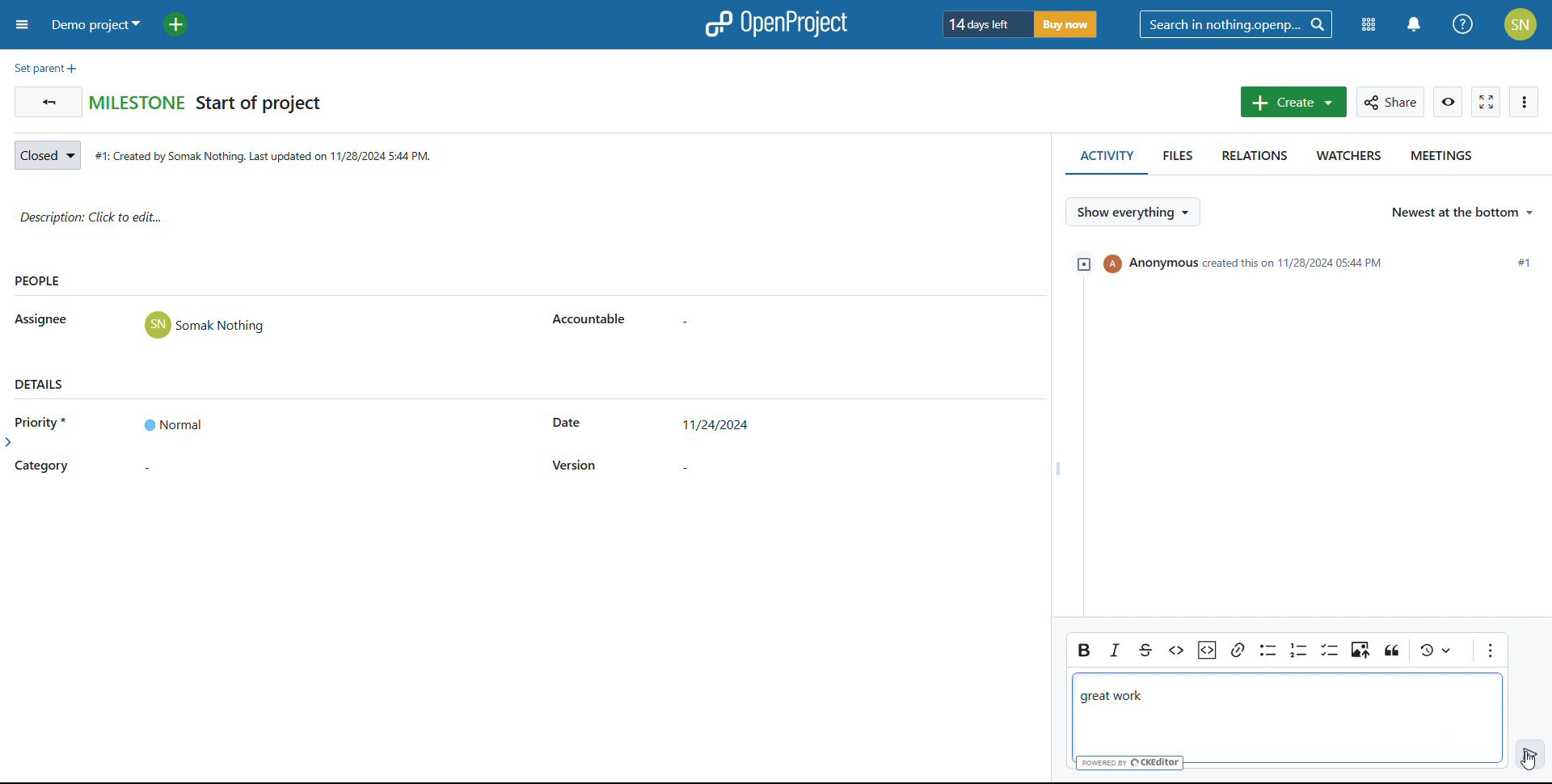 This screenshot has width=1552, height=784. Describe the element at coordinates (137, 101) in the screenshot. I see `milestone` at that location.